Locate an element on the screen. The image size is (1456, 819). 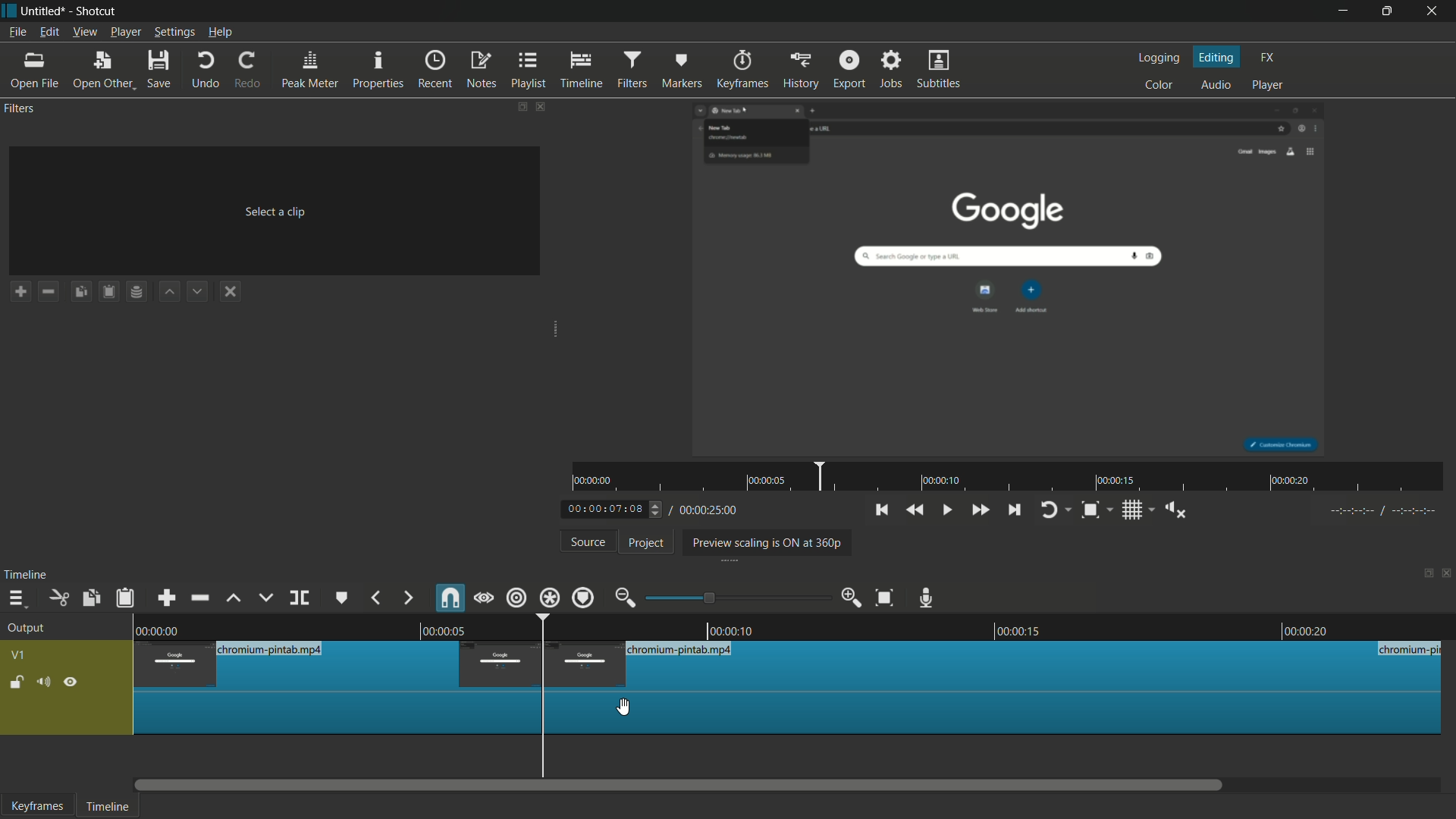
hide is located at coordinates (71, 685).